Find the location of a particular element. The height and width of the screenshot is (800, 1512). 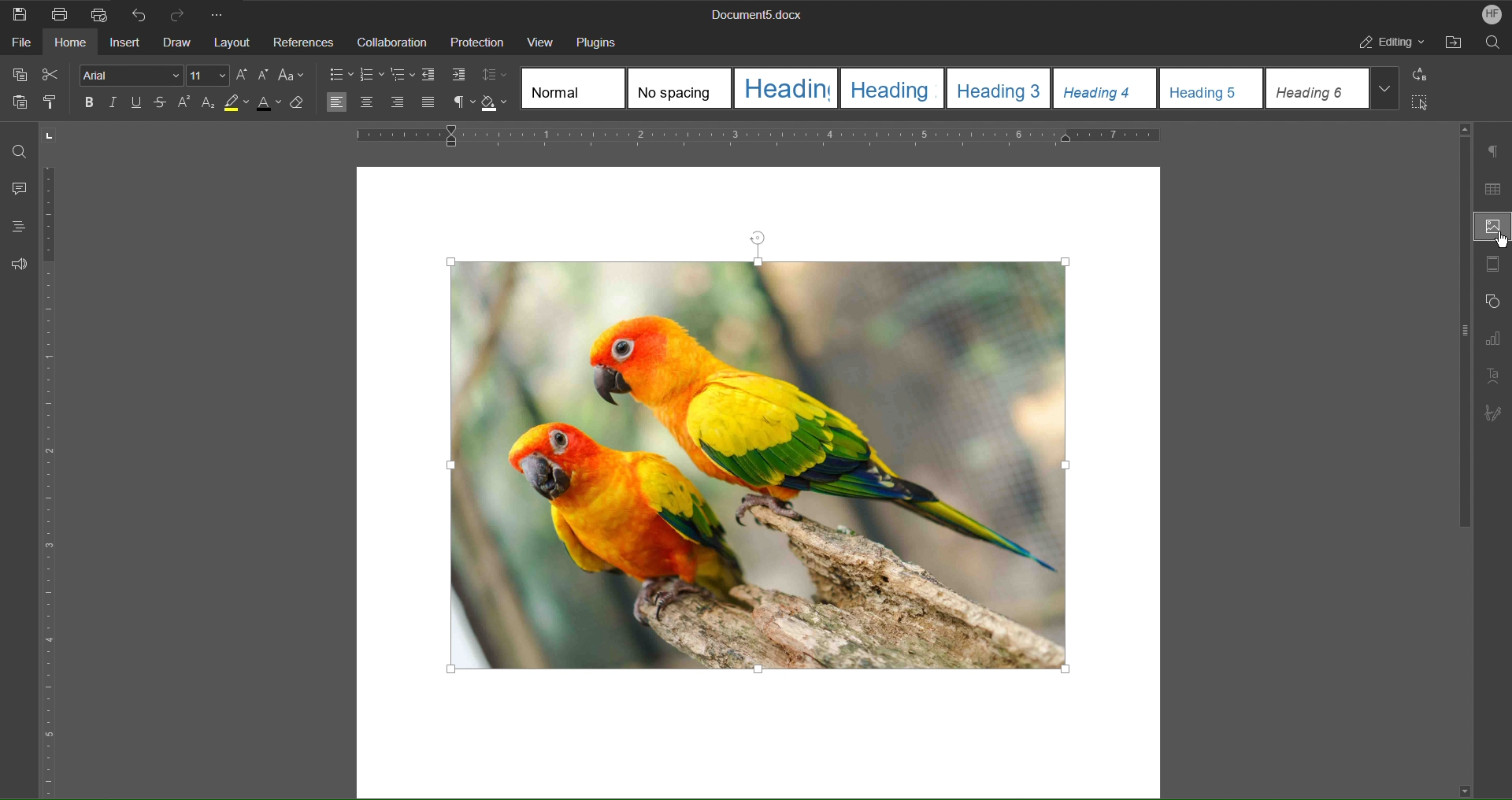

Highlight is located at coordinates (240, 106).